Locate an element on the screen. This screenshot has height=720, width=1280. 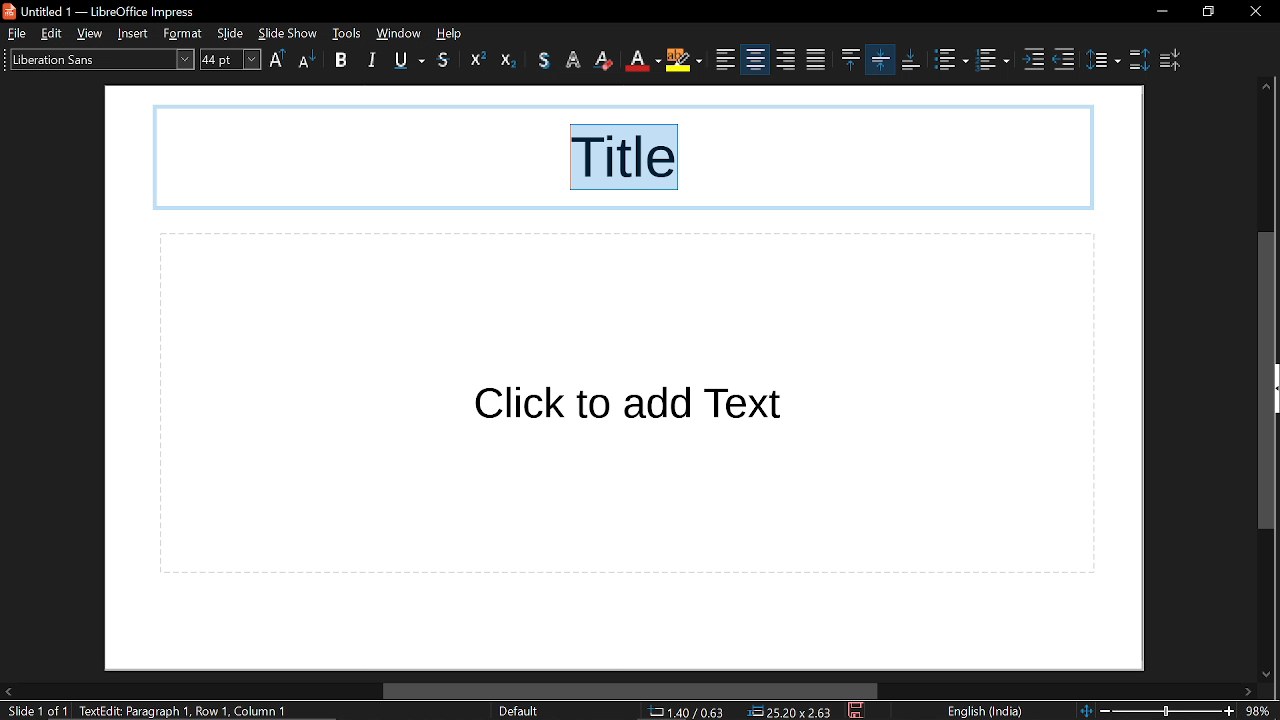
align bottom is located at coordinates (881, 59).